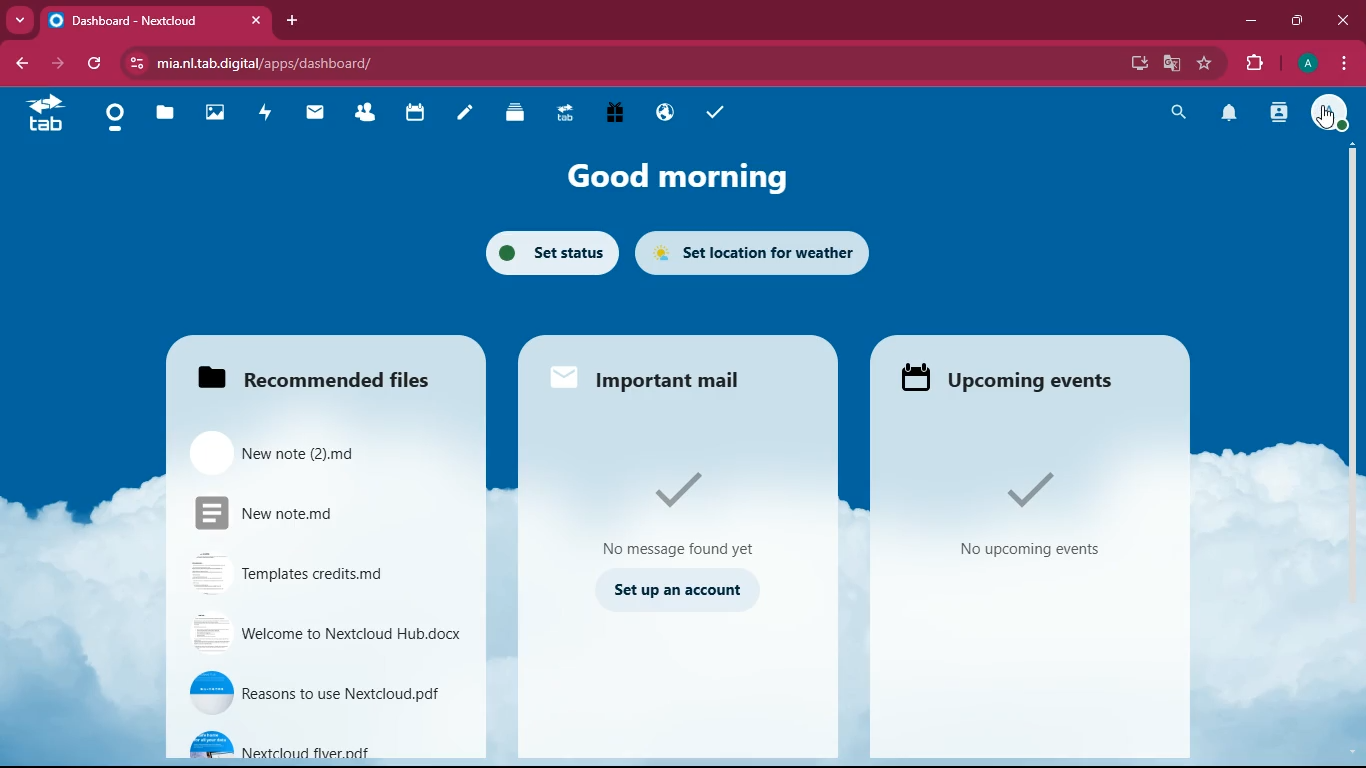  I want to click on google translate, so click(1172, 63).